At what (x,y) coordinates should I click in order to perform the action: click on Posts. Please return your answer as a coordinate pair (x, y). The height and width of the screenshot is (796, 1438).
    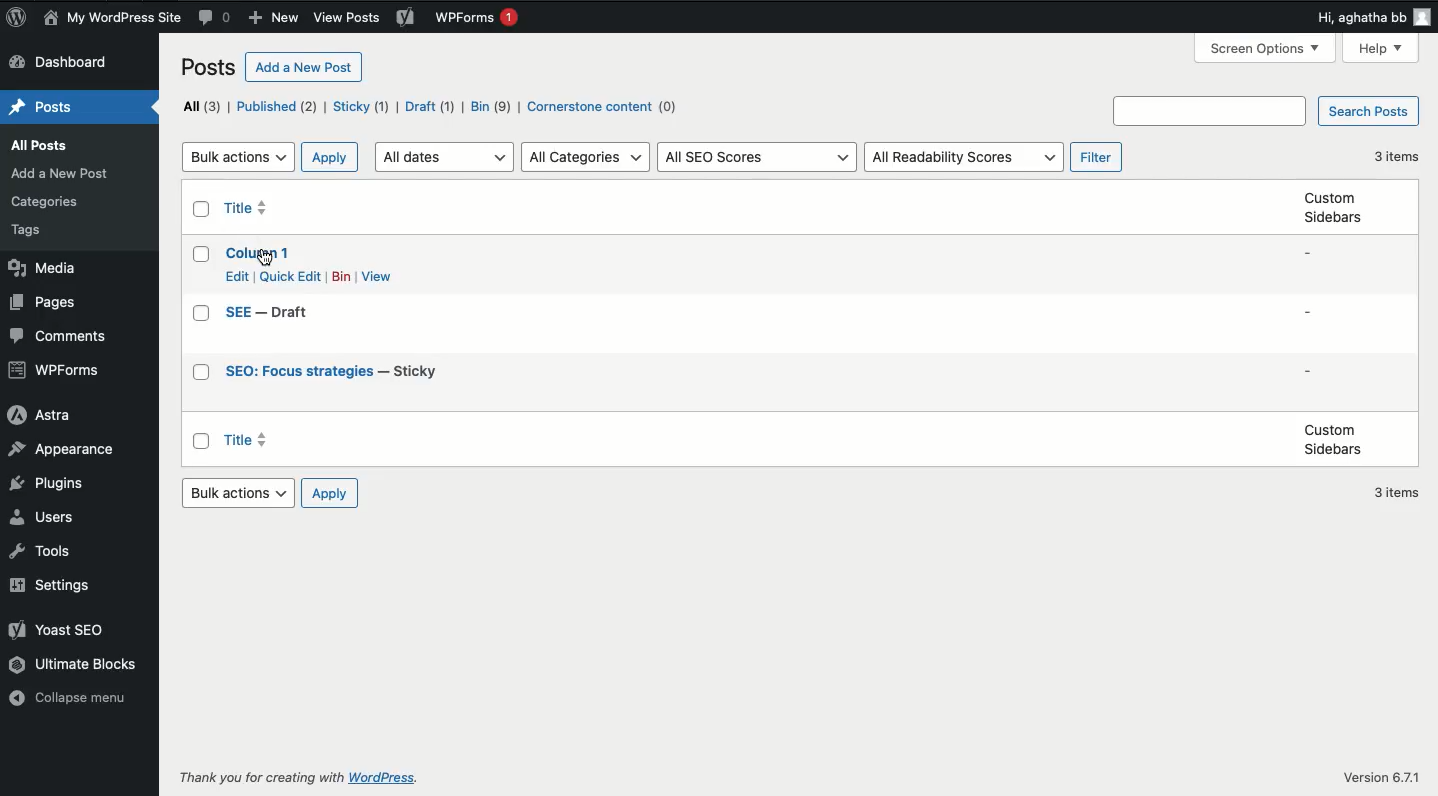
    Looking at the image, I should click on (43, 107).